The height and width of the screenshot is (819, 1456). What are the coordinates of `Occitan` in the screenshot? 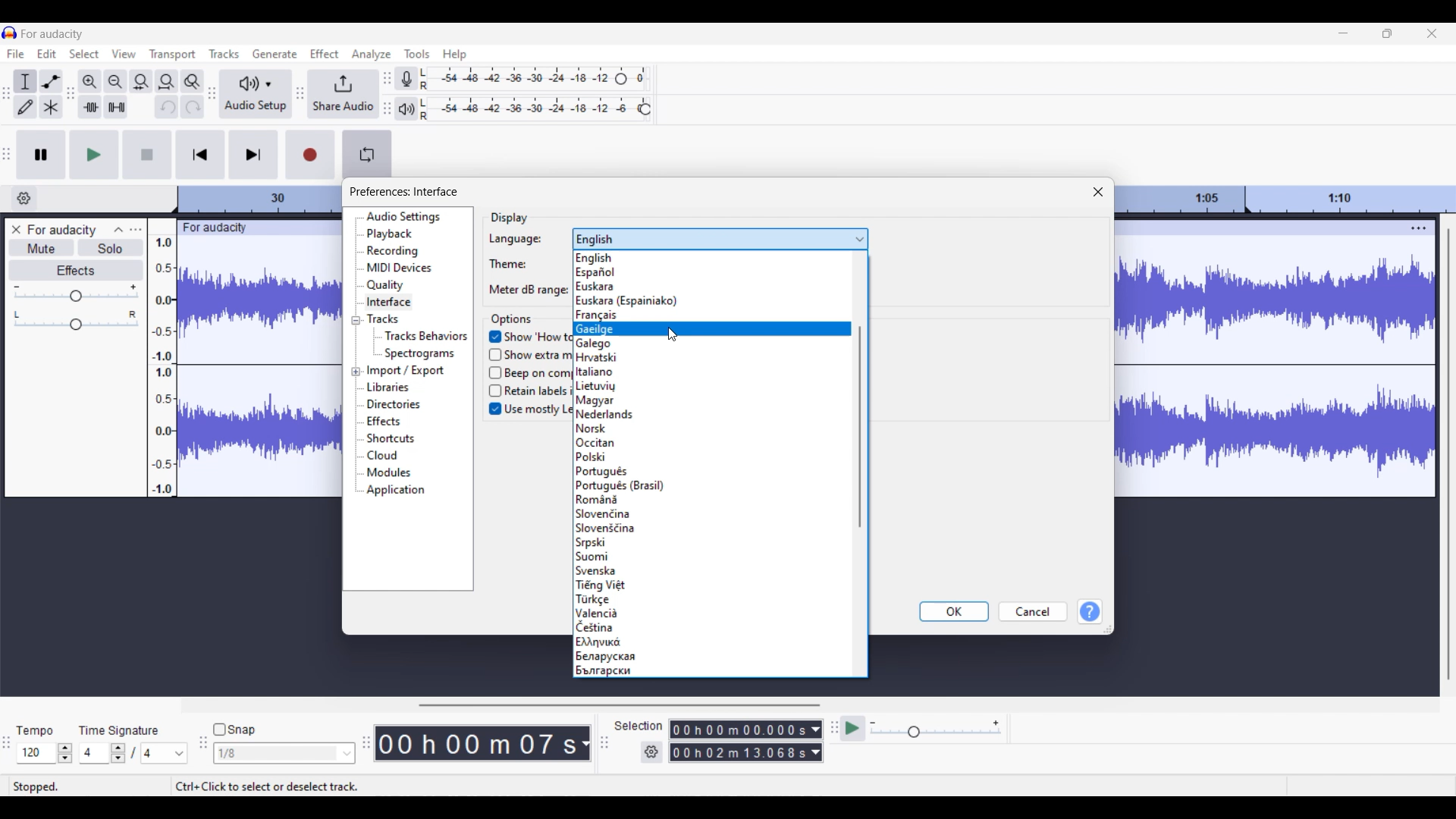 It's located at (595, 443).